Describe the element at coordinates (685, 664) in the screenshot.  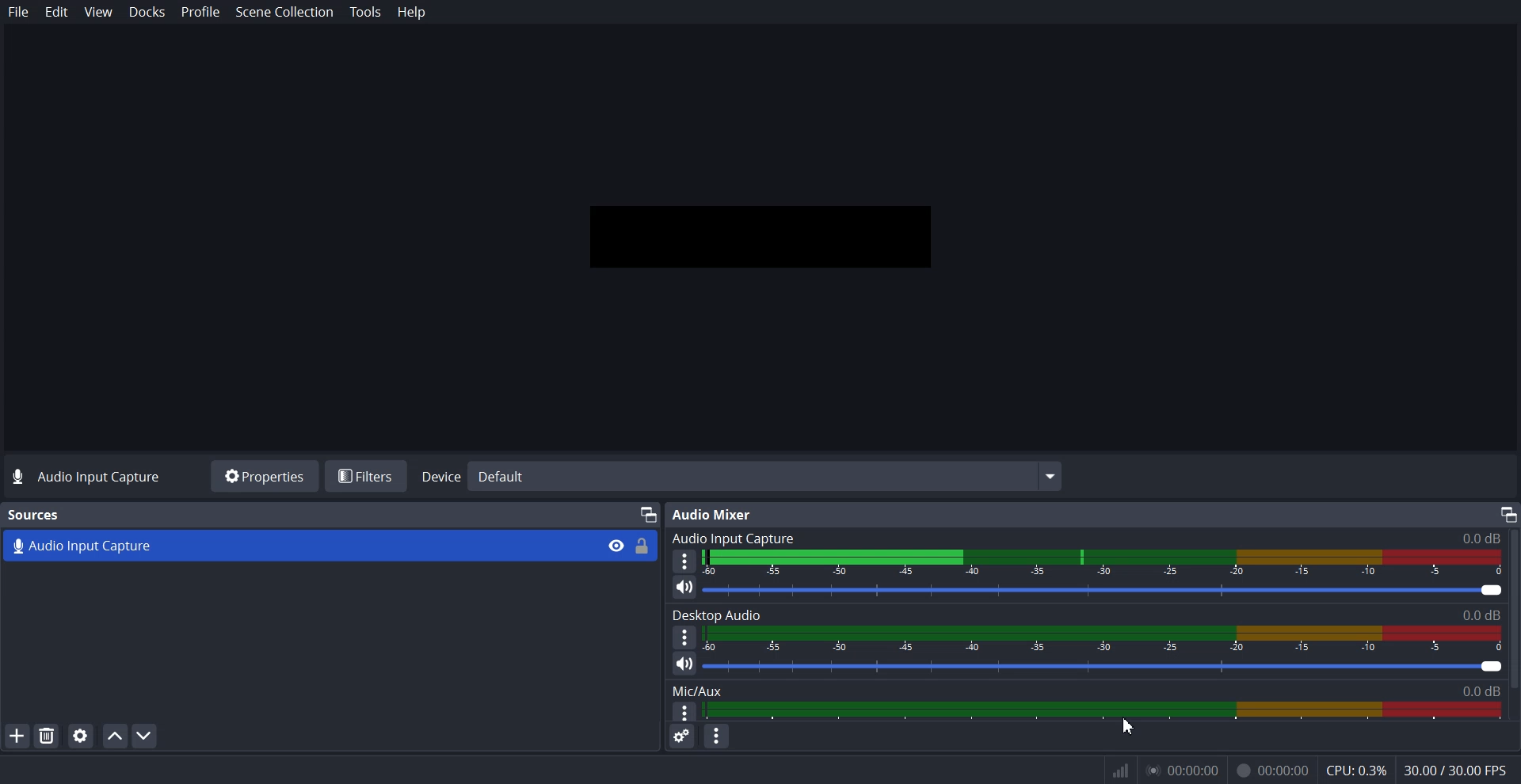
I see `Mute` at that location.